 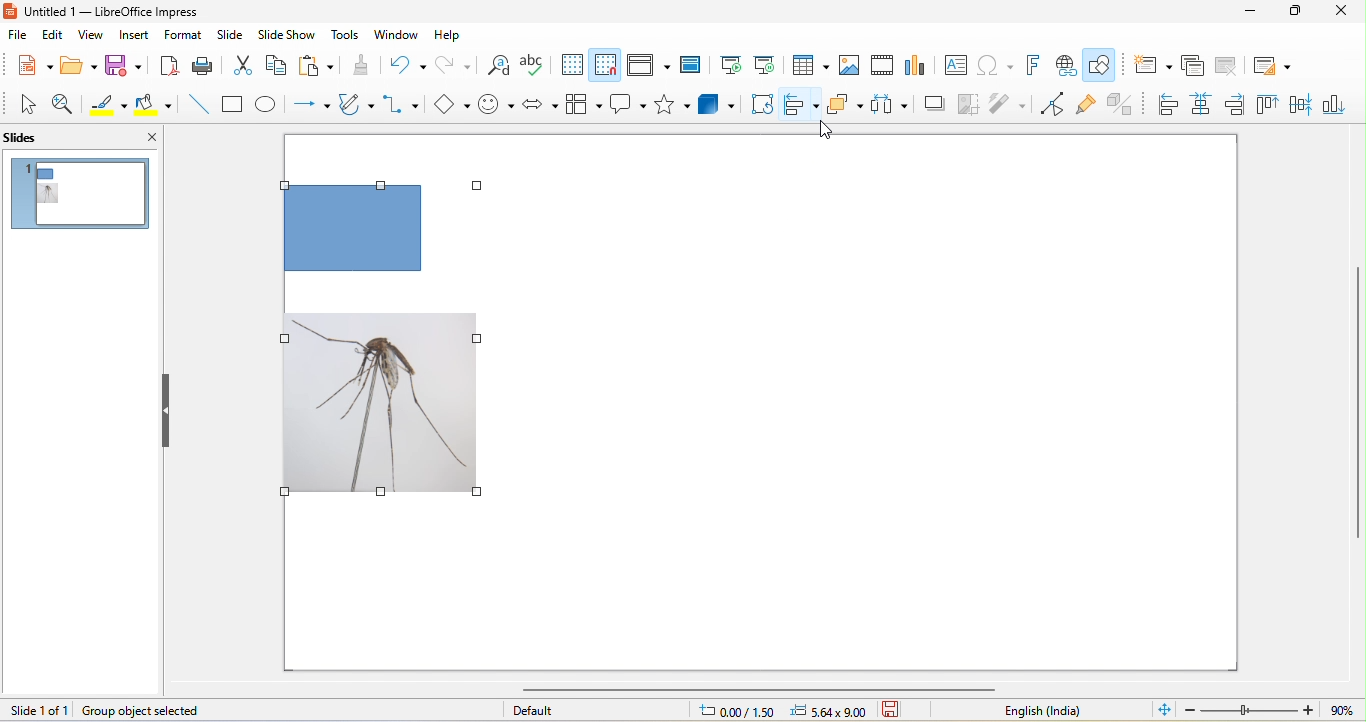 I want to click on untitled 1- libreoffice impress, so click(x=126, y=13).